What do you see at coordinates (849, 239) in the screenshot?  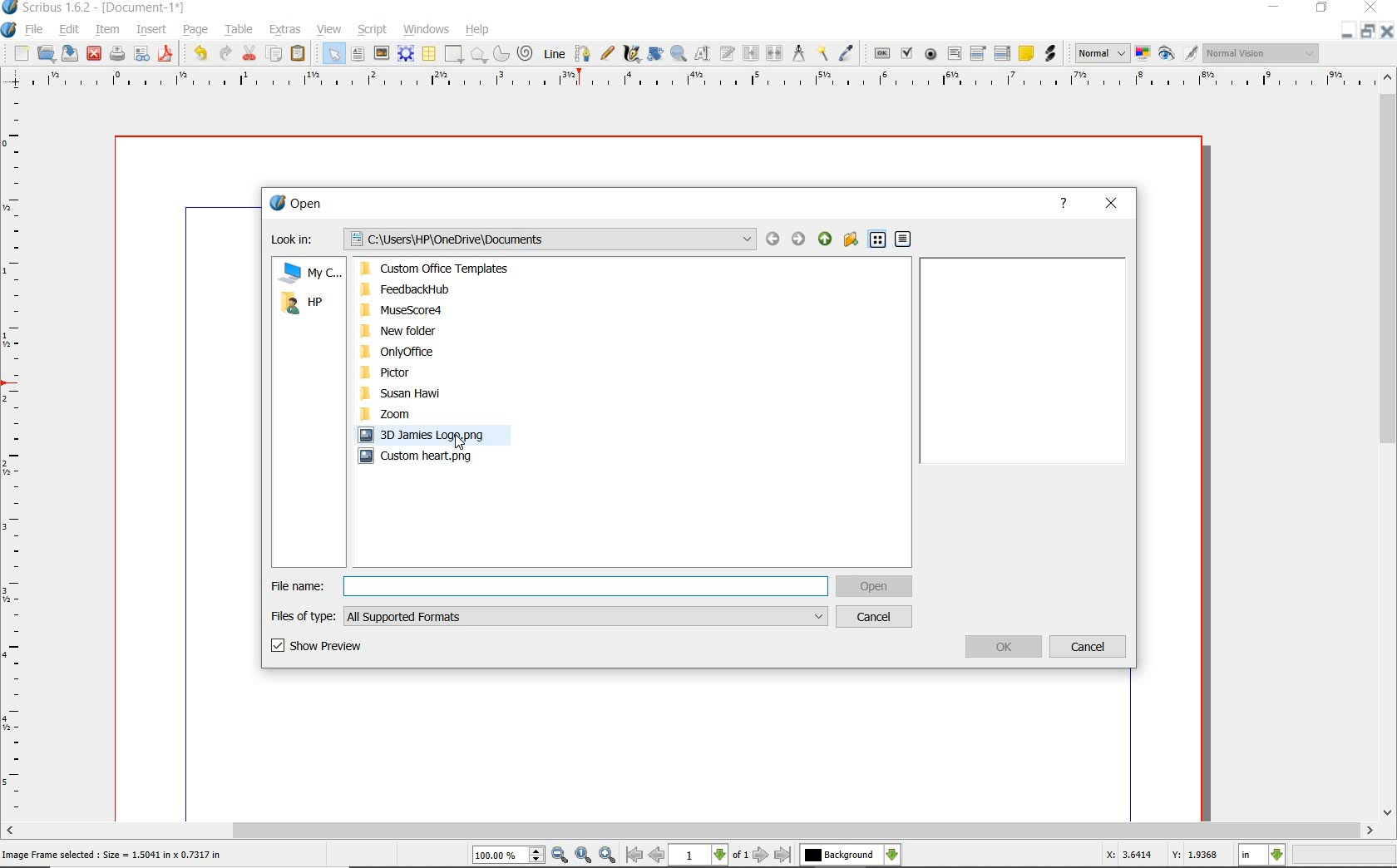 I see `create new folder` at bounding box center [849, 239].